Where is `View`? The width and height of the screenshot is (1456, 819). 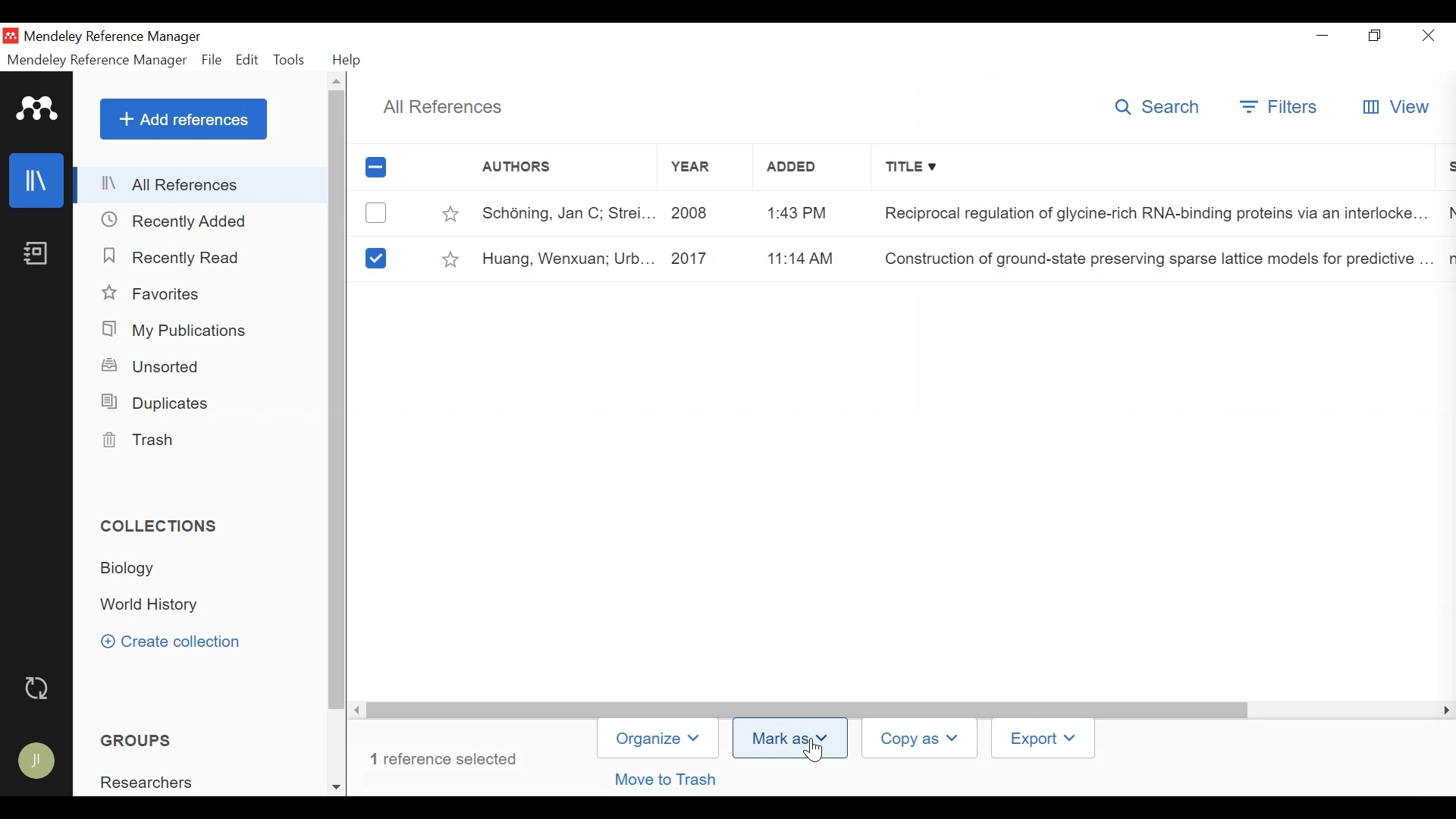
View is located at coordinates (1396, 108).